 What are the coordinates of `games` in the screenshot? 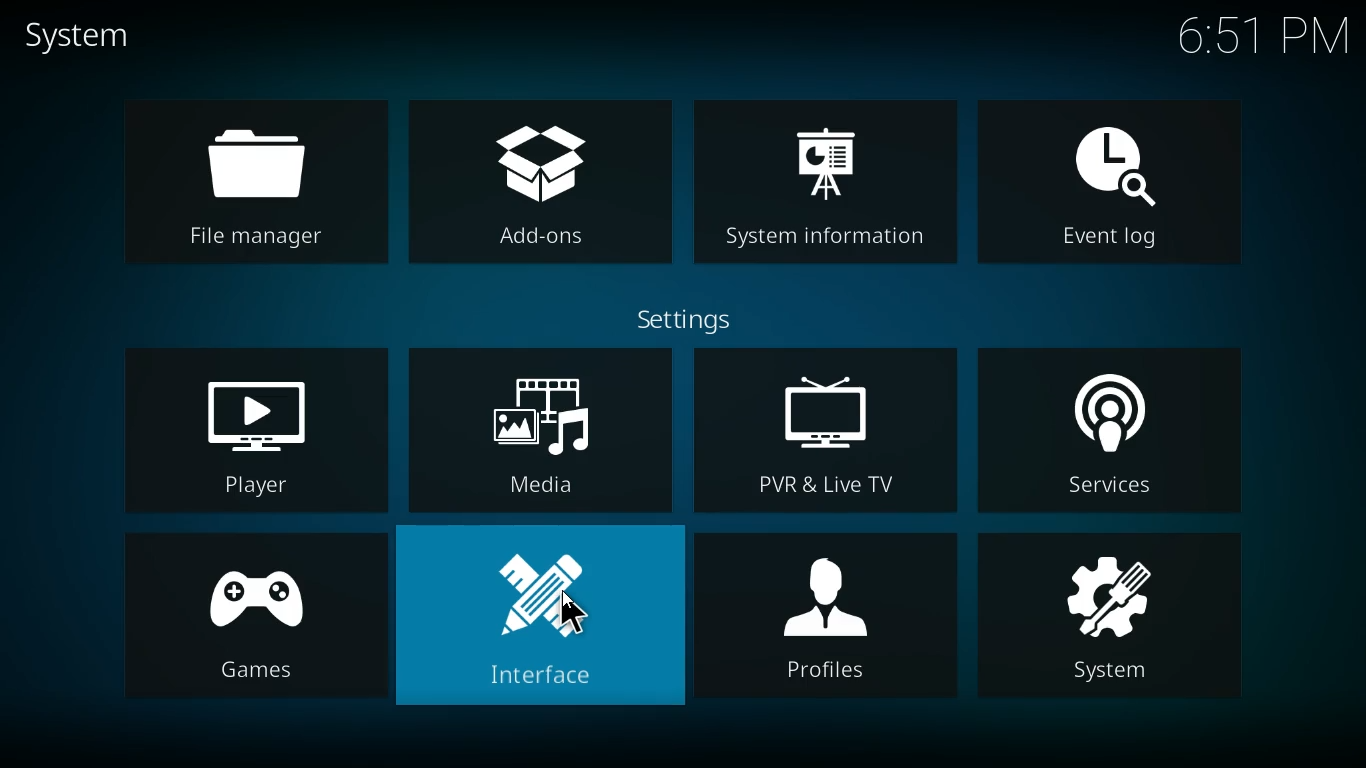 It's located at (241, 620).